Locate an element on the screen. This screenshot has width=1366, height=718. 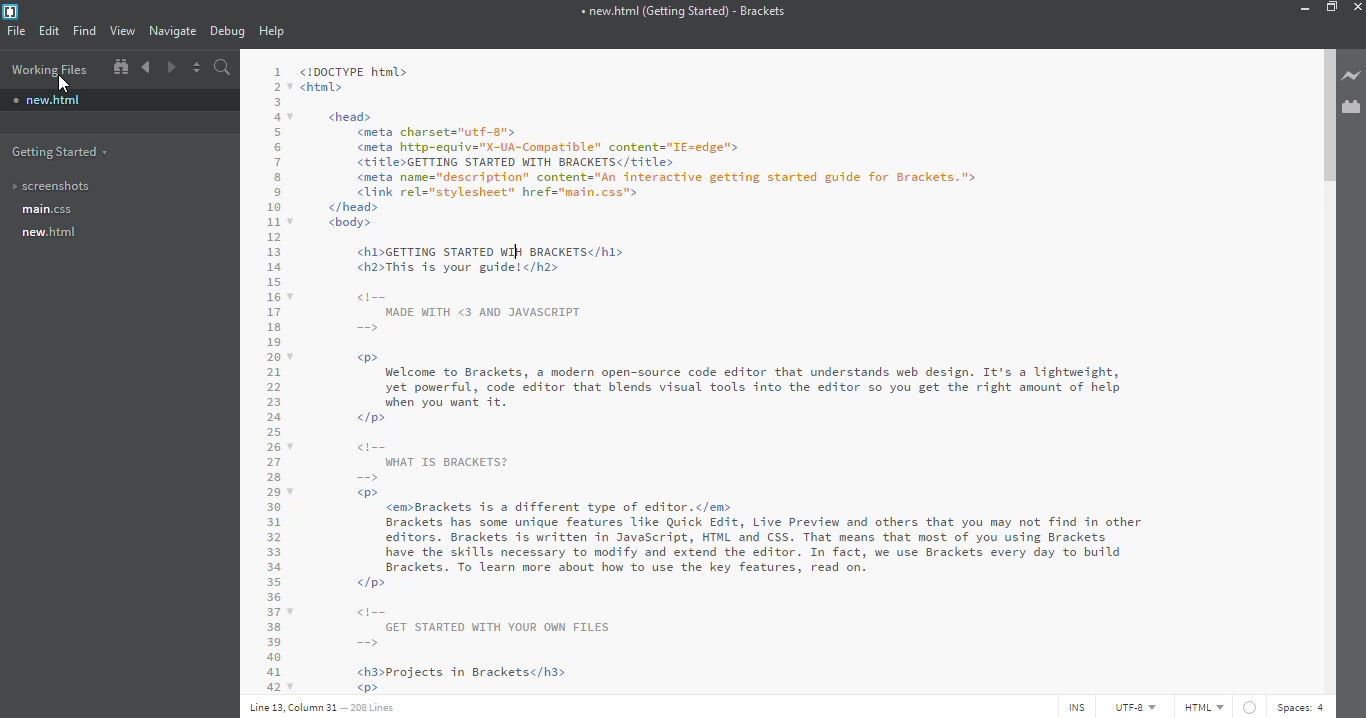
cursor is located at coordinates (64, 85).